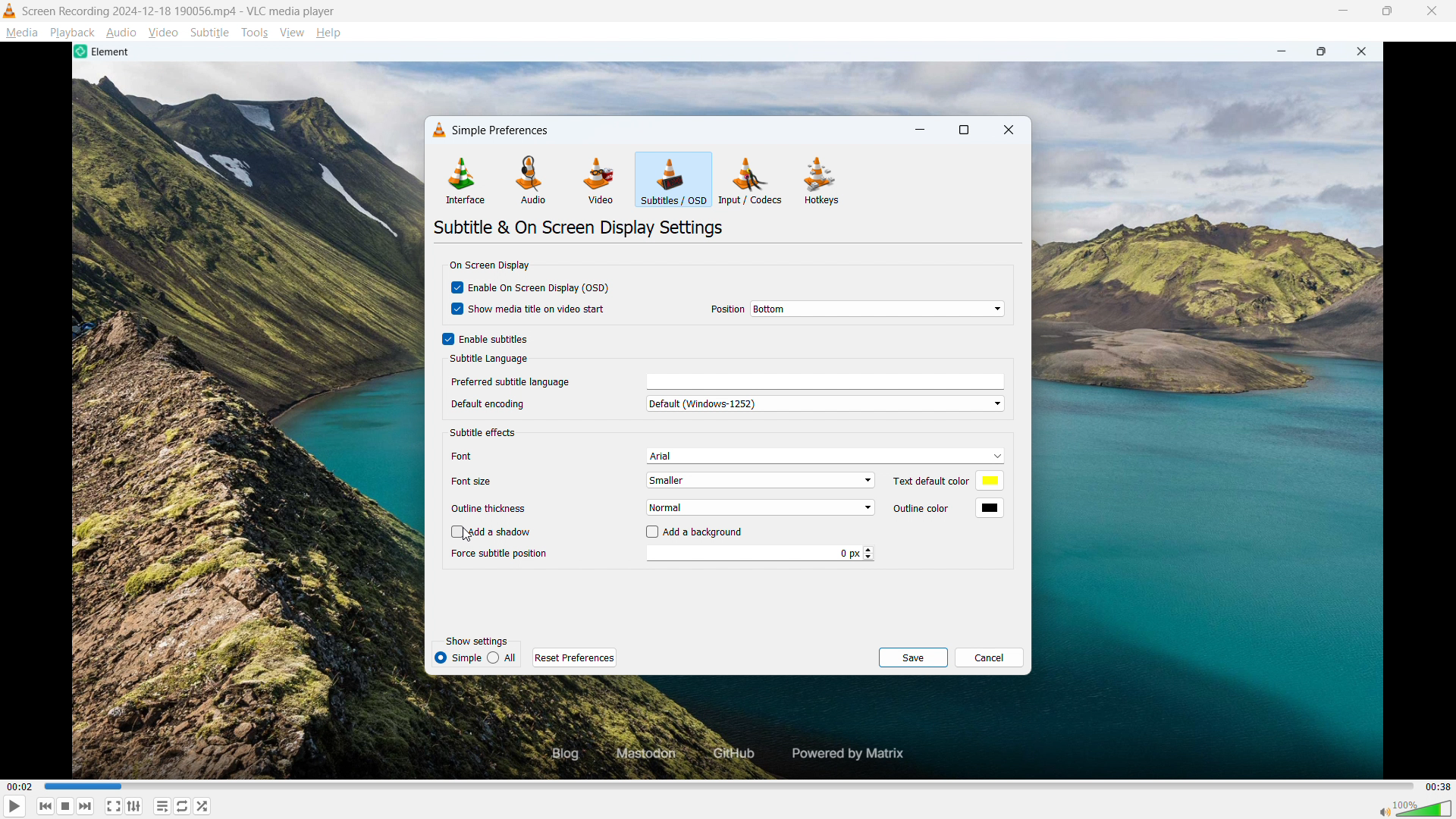 This screenshot has width=1456, height=819. What do you see at coordinates (761, 507) in the screenshot?
I see `Normal` at bounding box center [761, 507].